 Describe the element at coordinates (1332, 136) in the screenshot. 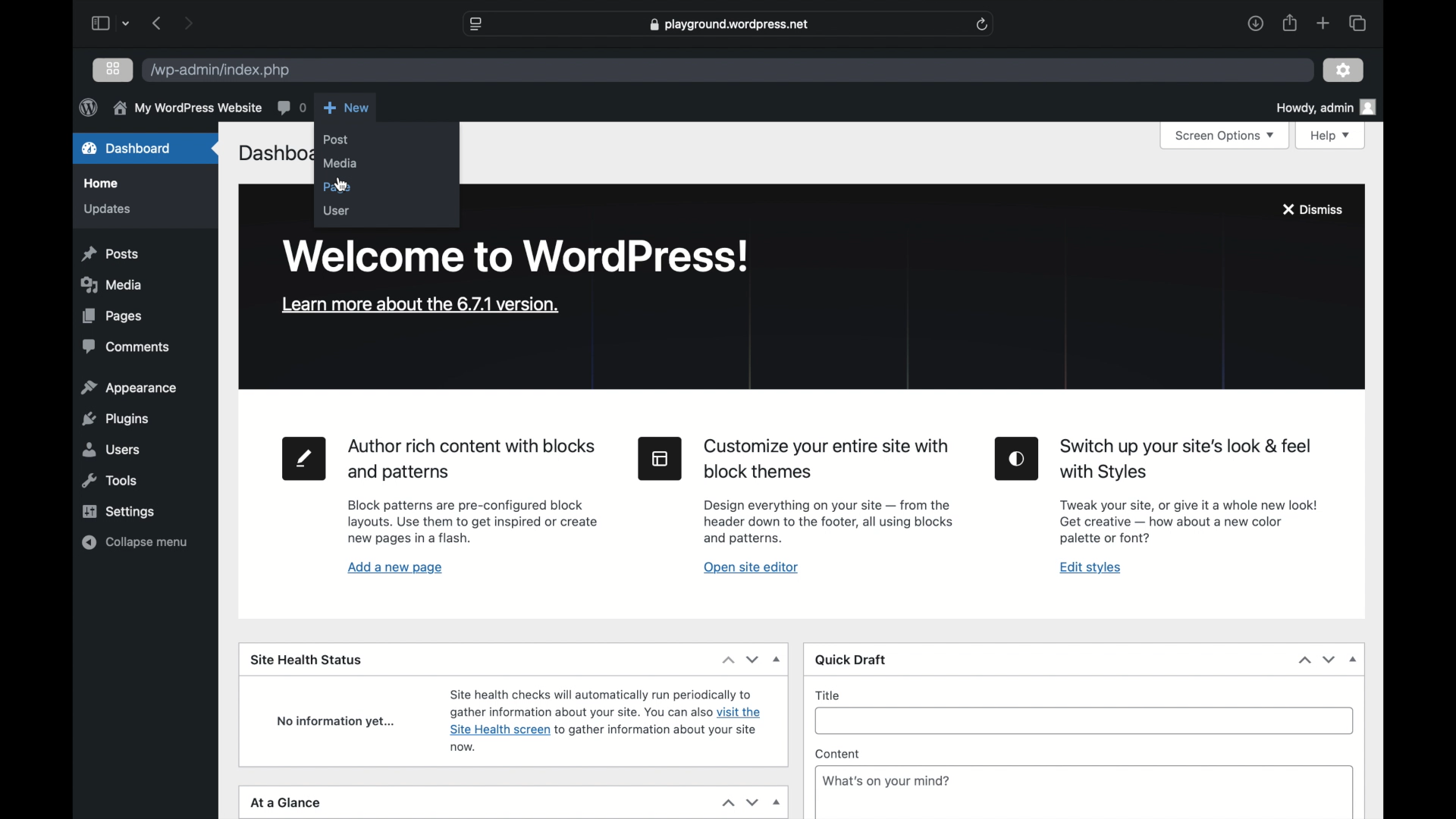

I see `help` at that location.